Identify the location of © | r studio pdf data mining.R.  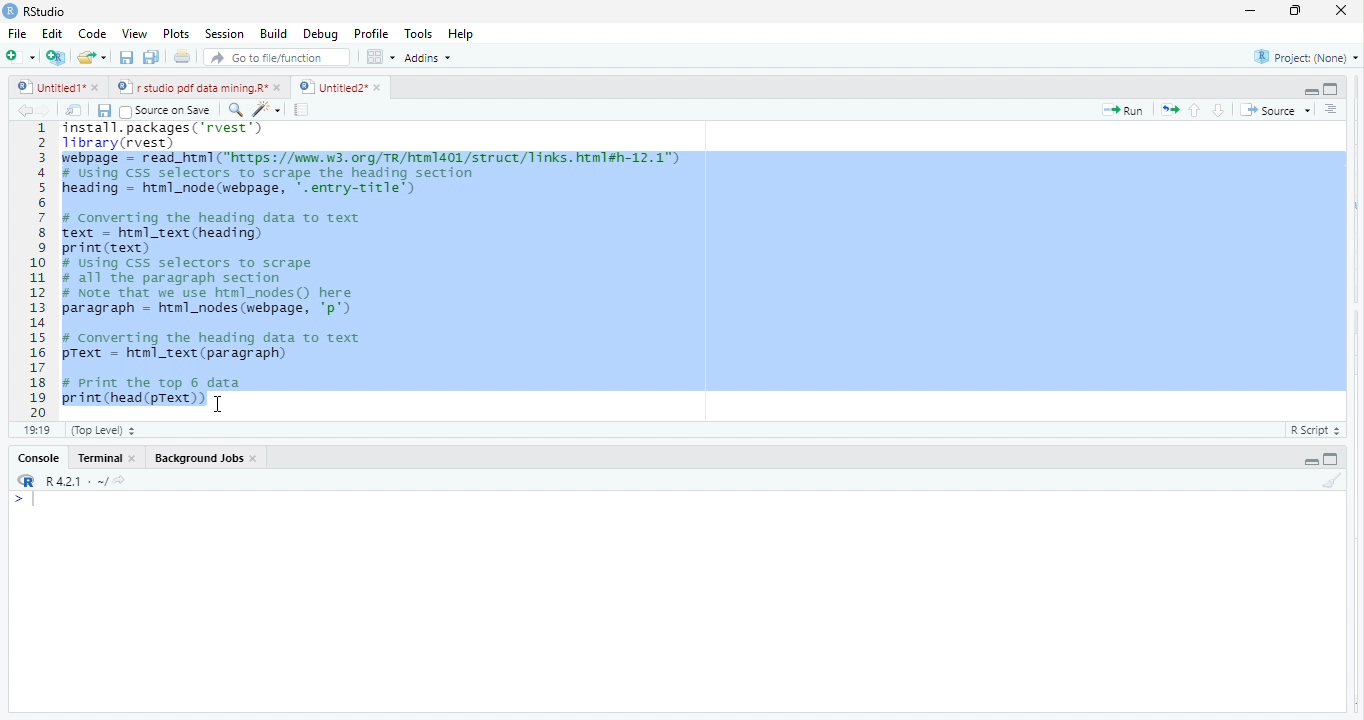
(194, 88).